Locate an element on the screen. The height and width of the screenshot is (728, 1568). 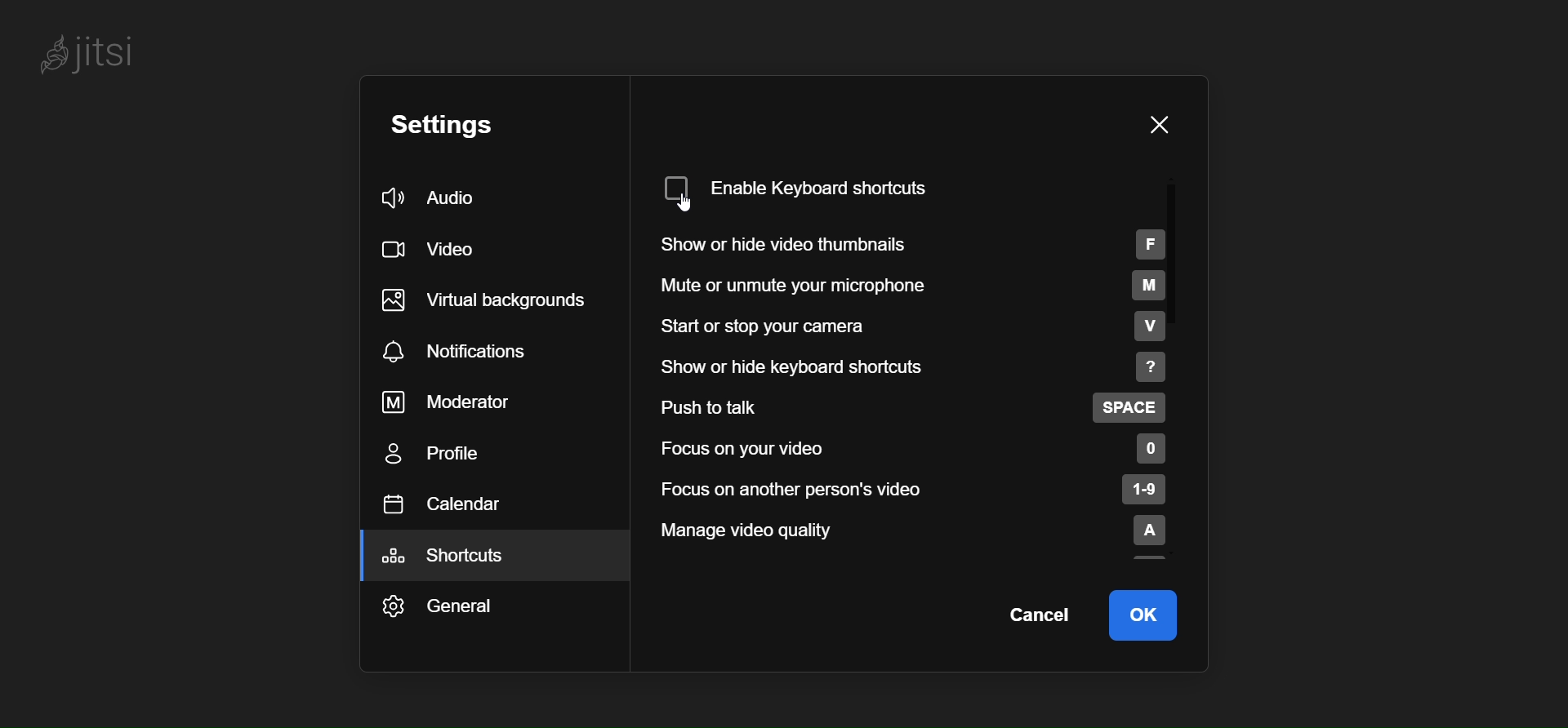
manage video quality is located at coordinates (920, 532).